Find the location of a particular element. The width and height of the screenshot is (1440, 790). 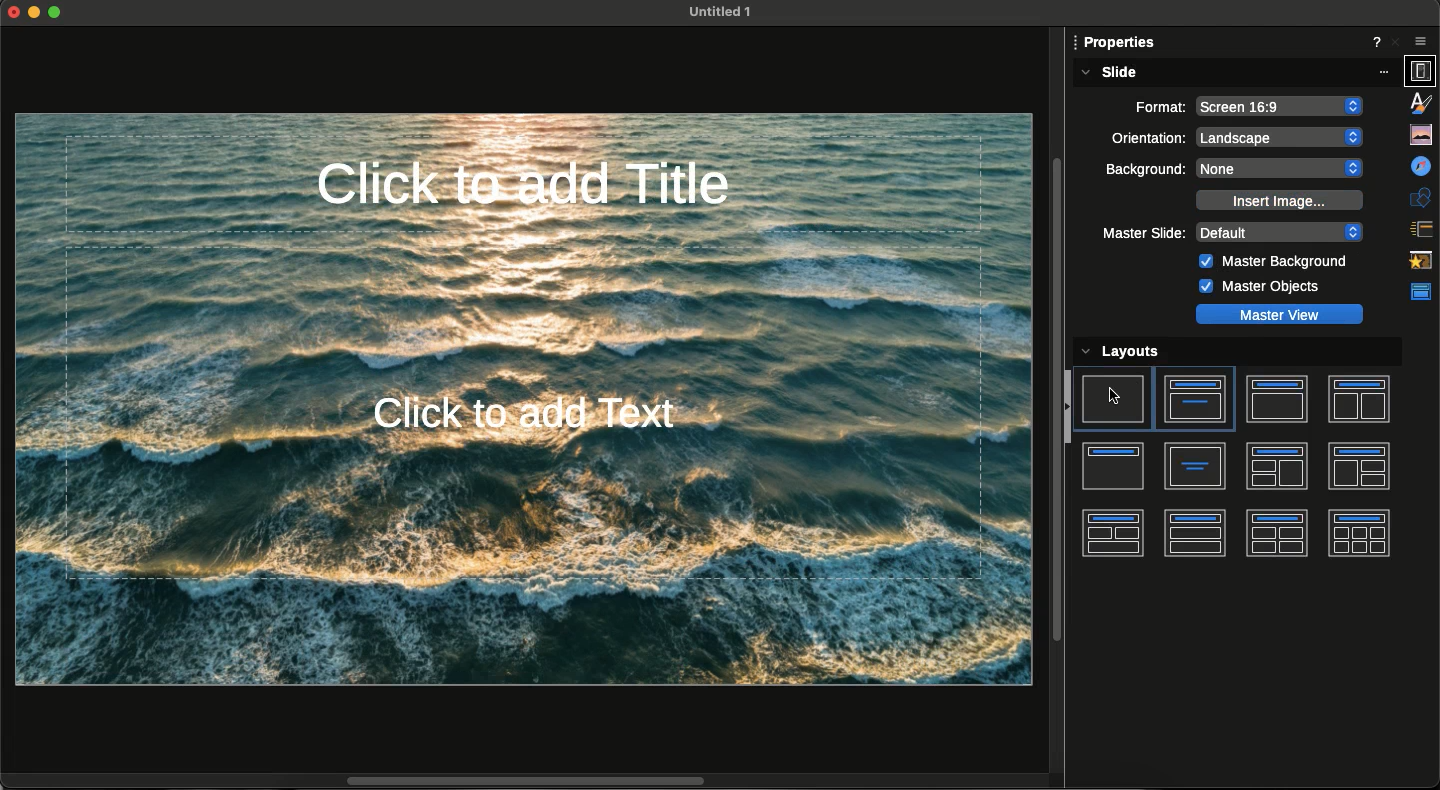

Format is located at coordinates (1149, 105).